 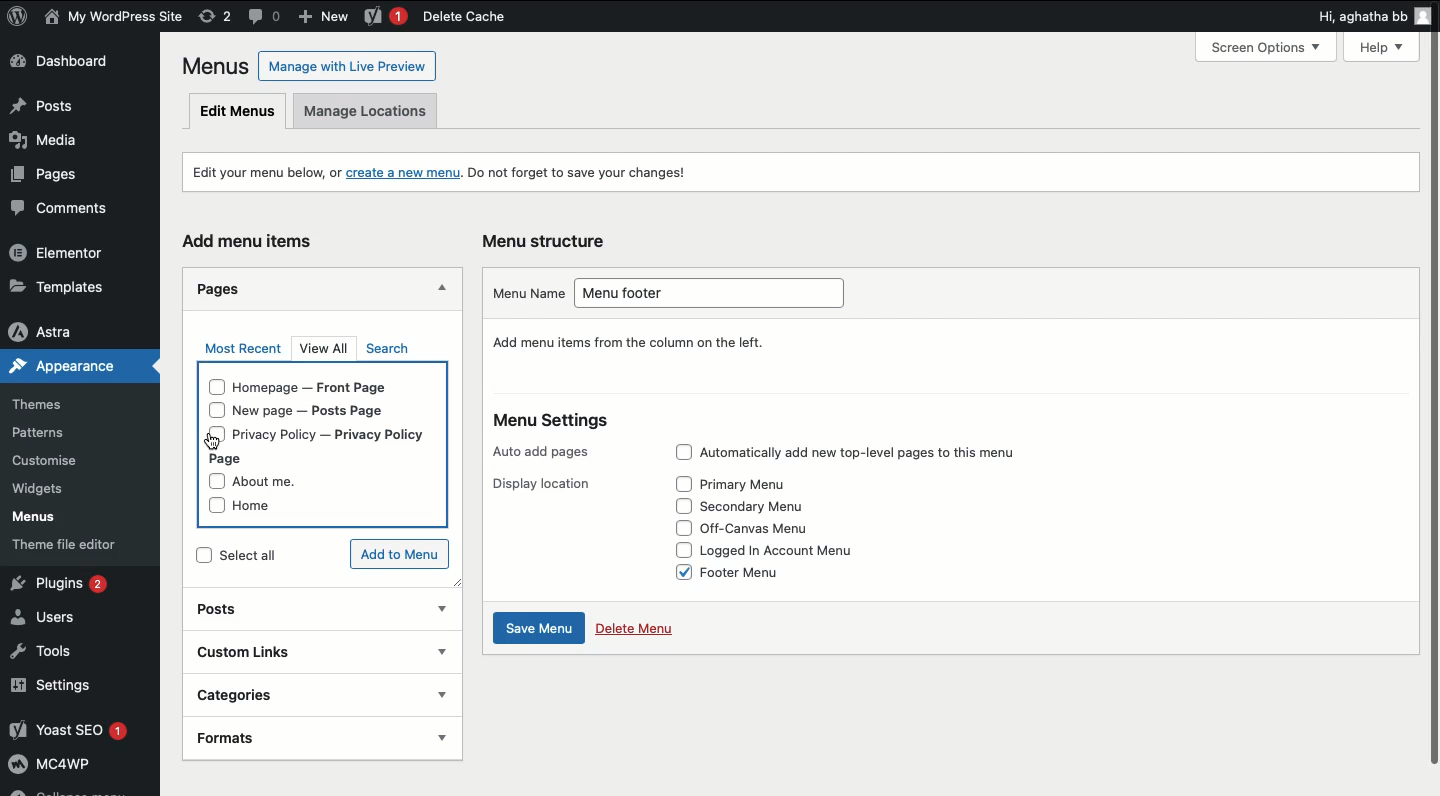 What do you see at coordinates (792, 550) in the screenshot?
I see `Logged in account menu` at bounding box center [792, 550].